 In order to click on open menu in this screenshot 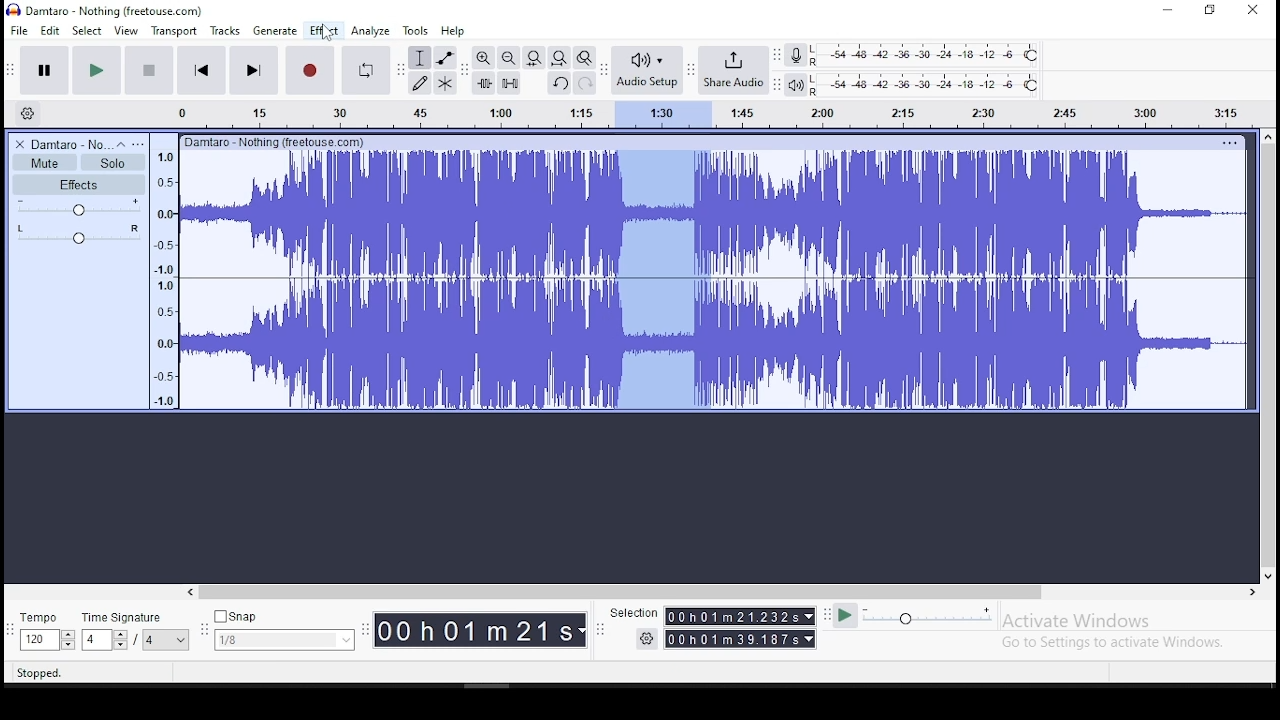, I will do `click(138, 144)`.